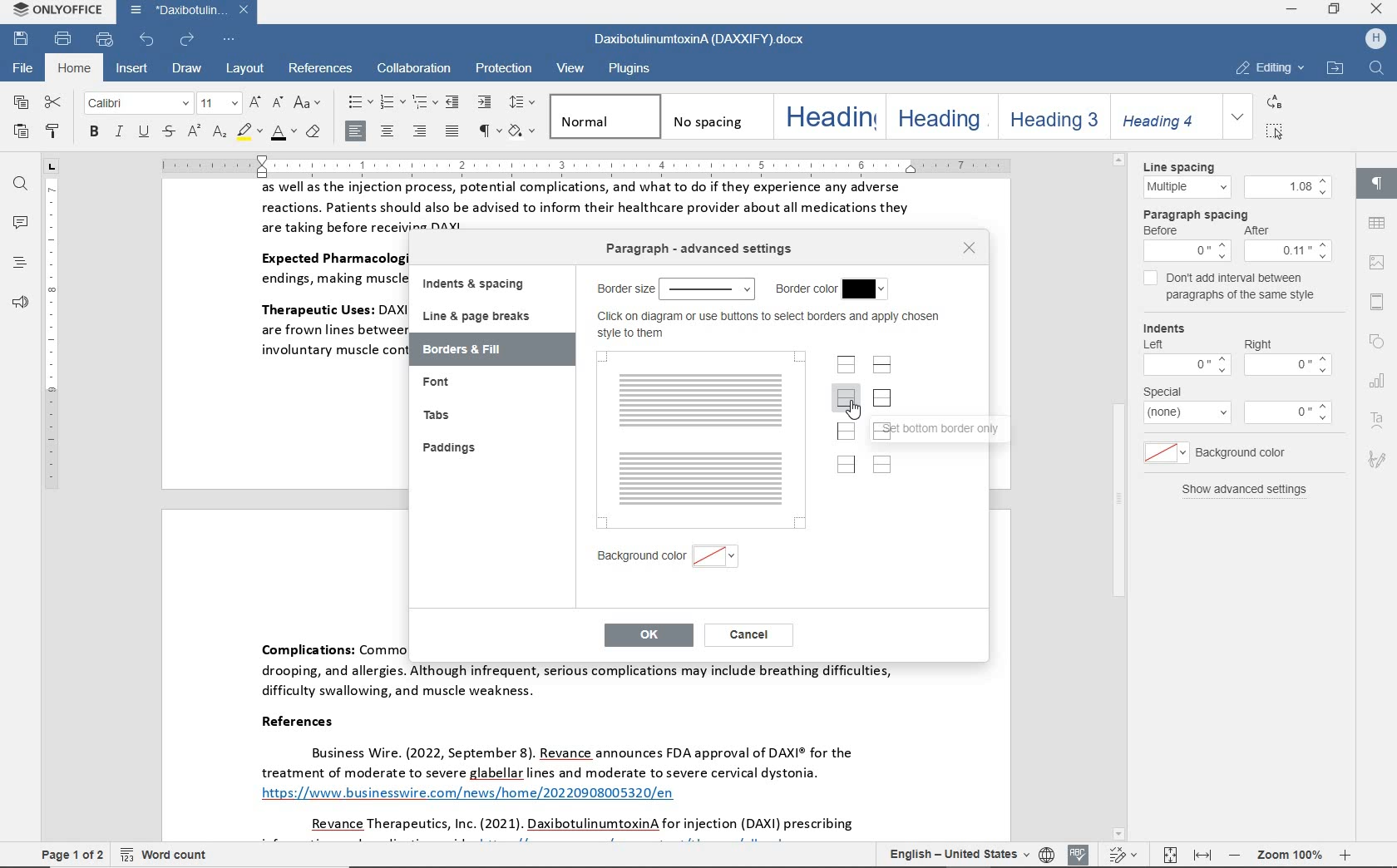 Image resolution: width=1397 pixels, height=868 pixels. What do you see at coordinates (1048, 854) in the screenshot?
I see `set document language` at bounding box center [1048, 854].